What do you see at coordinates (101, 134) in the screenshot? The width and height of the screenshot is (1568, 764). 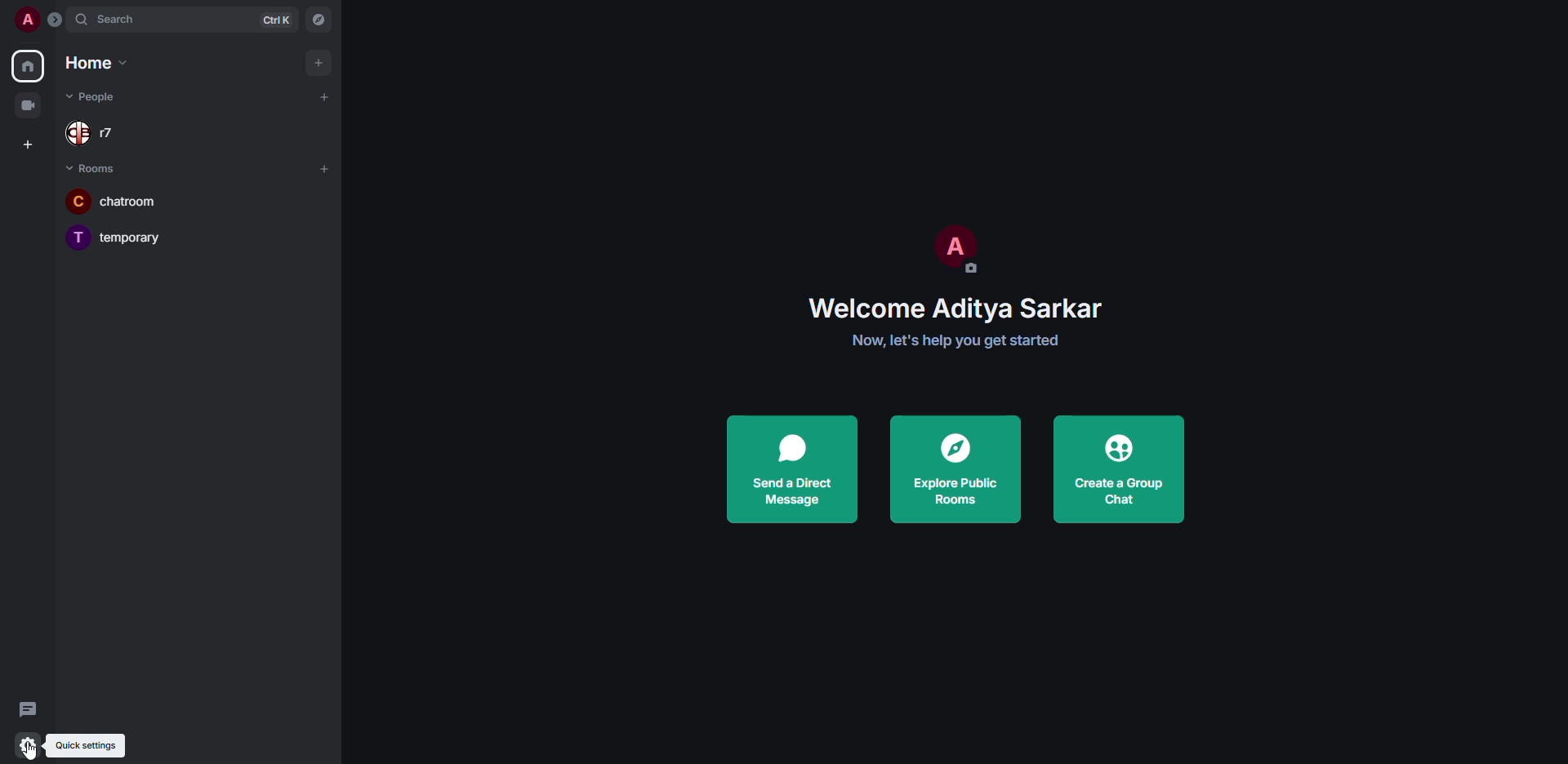 I see `r7` at bounding box center [101, 134].